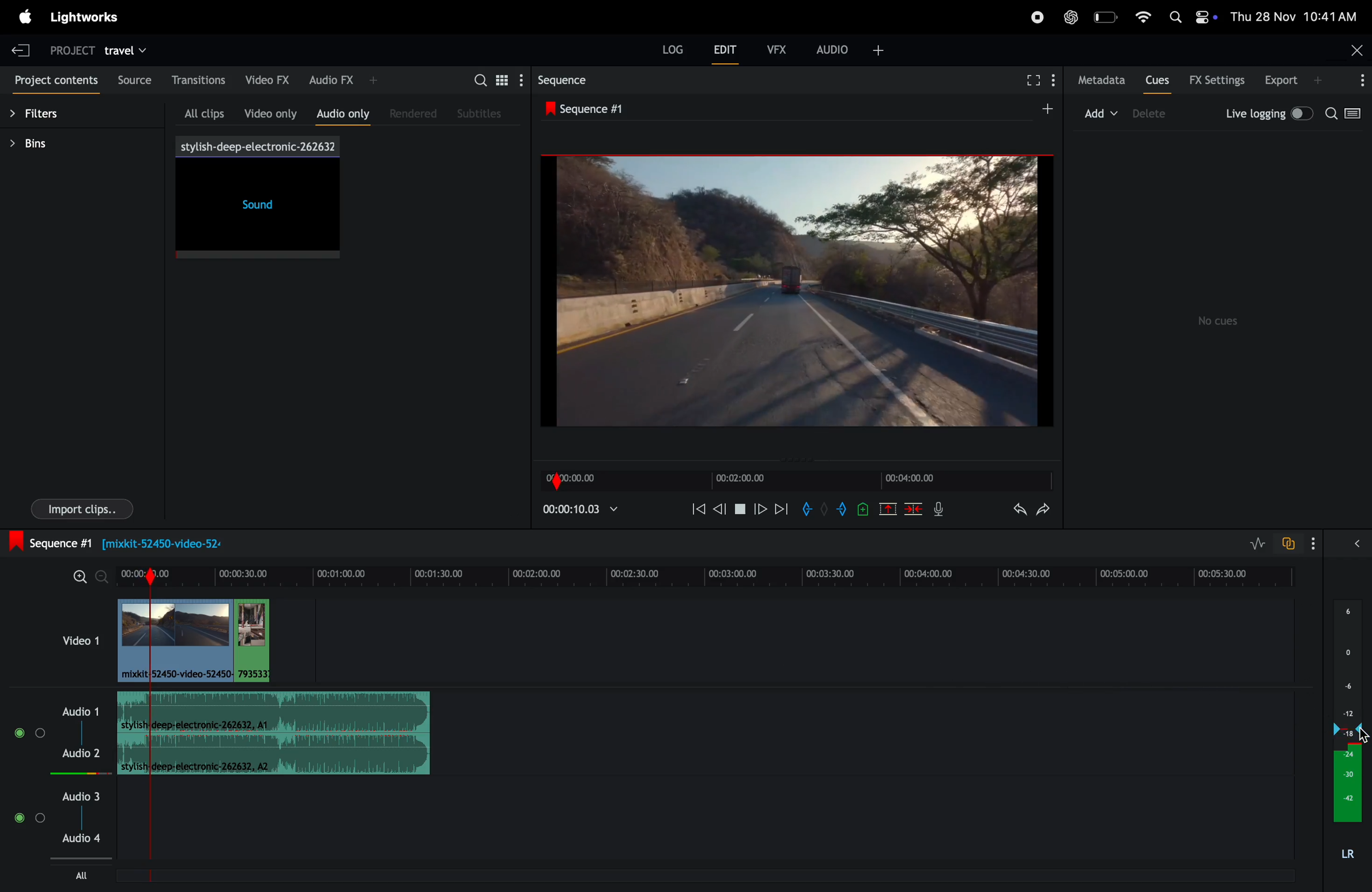 This screenshot has height=892, width=1372. Describe the element at coordinates (761, 509) in the screenshot. I see `move forward one frame` at that location.